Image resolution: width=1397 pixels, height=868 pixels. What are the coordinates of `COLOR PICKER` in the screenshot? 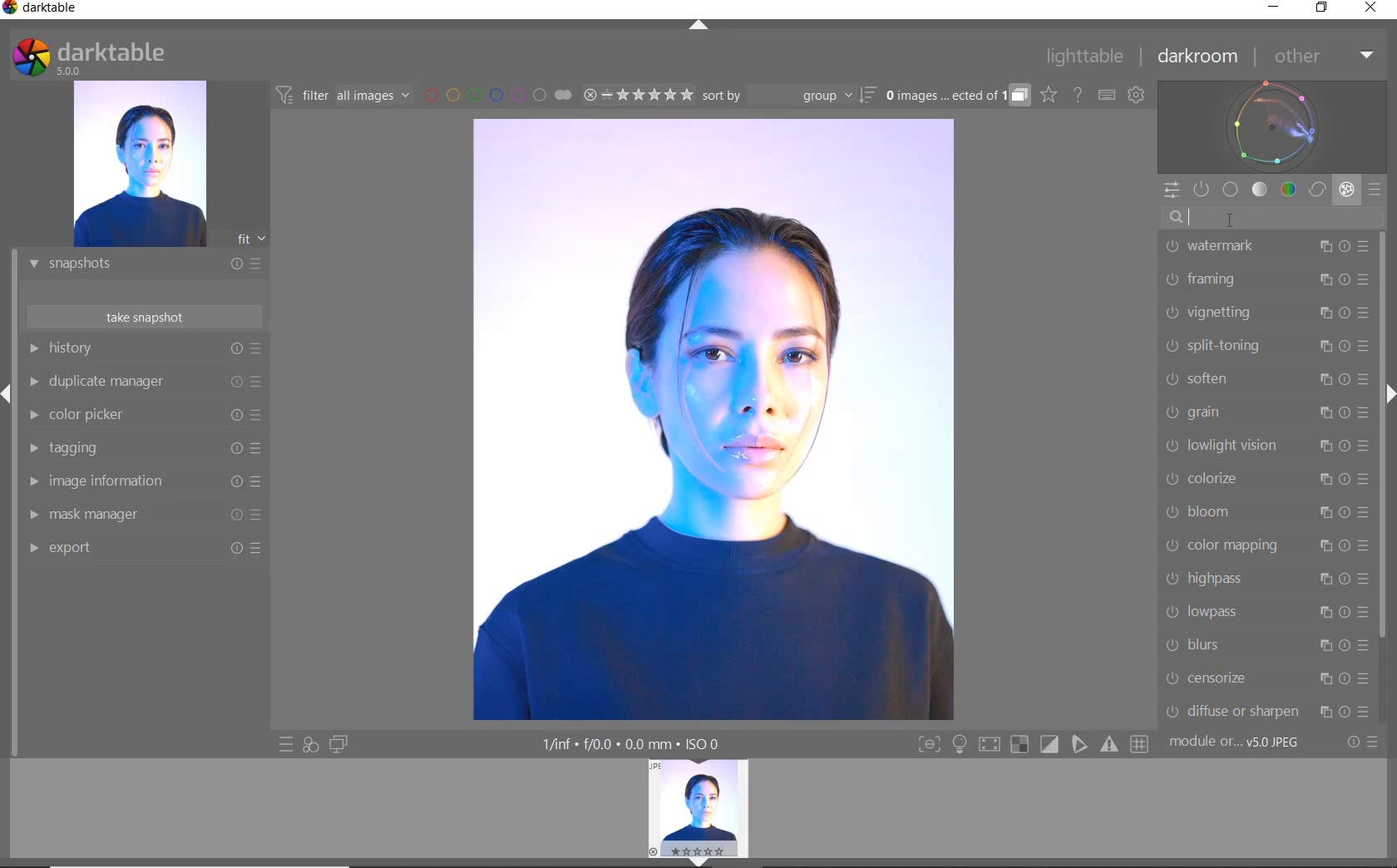 It's located at (141, 416).